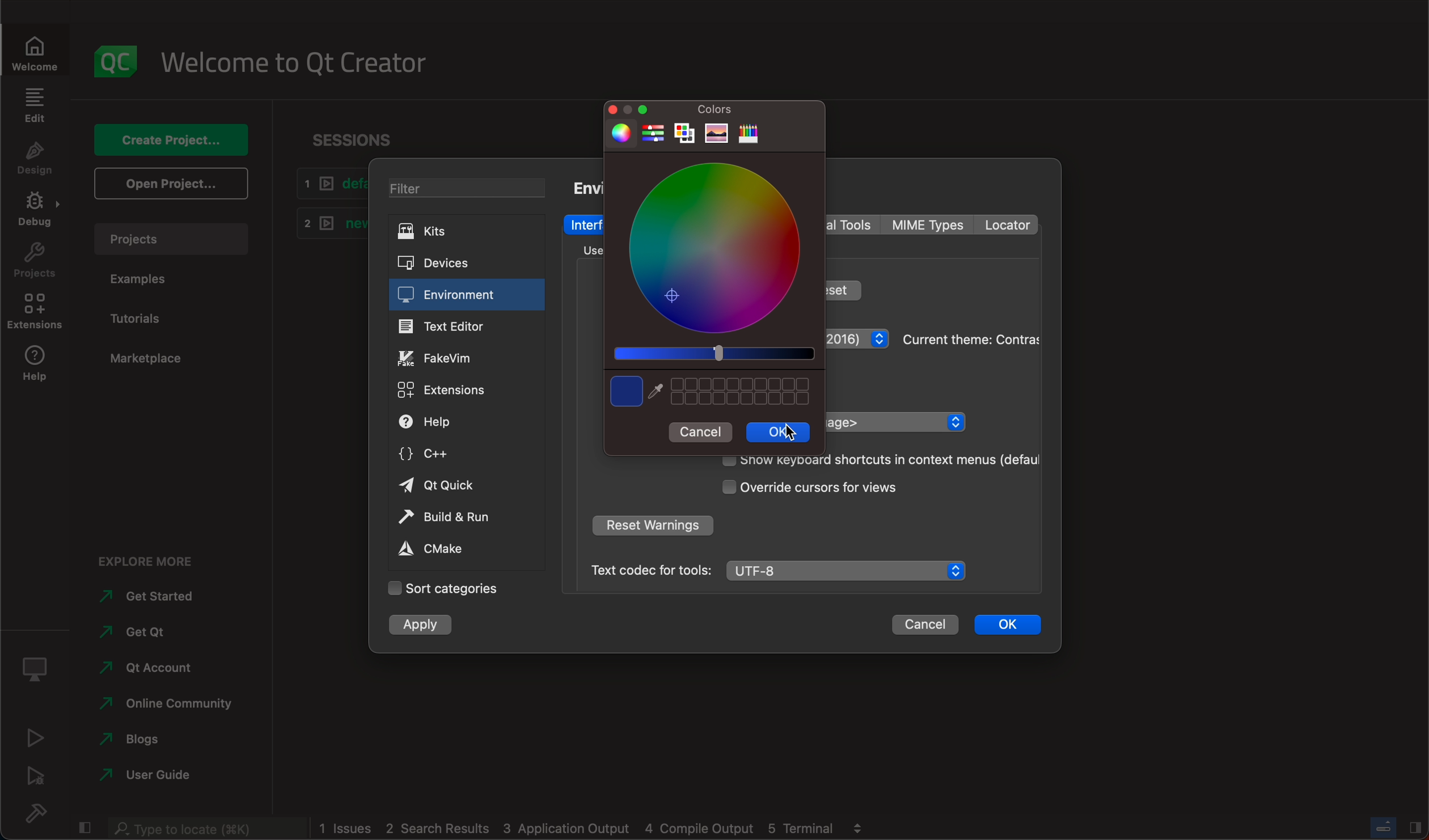  I want to click on environment, so click(466, 295).